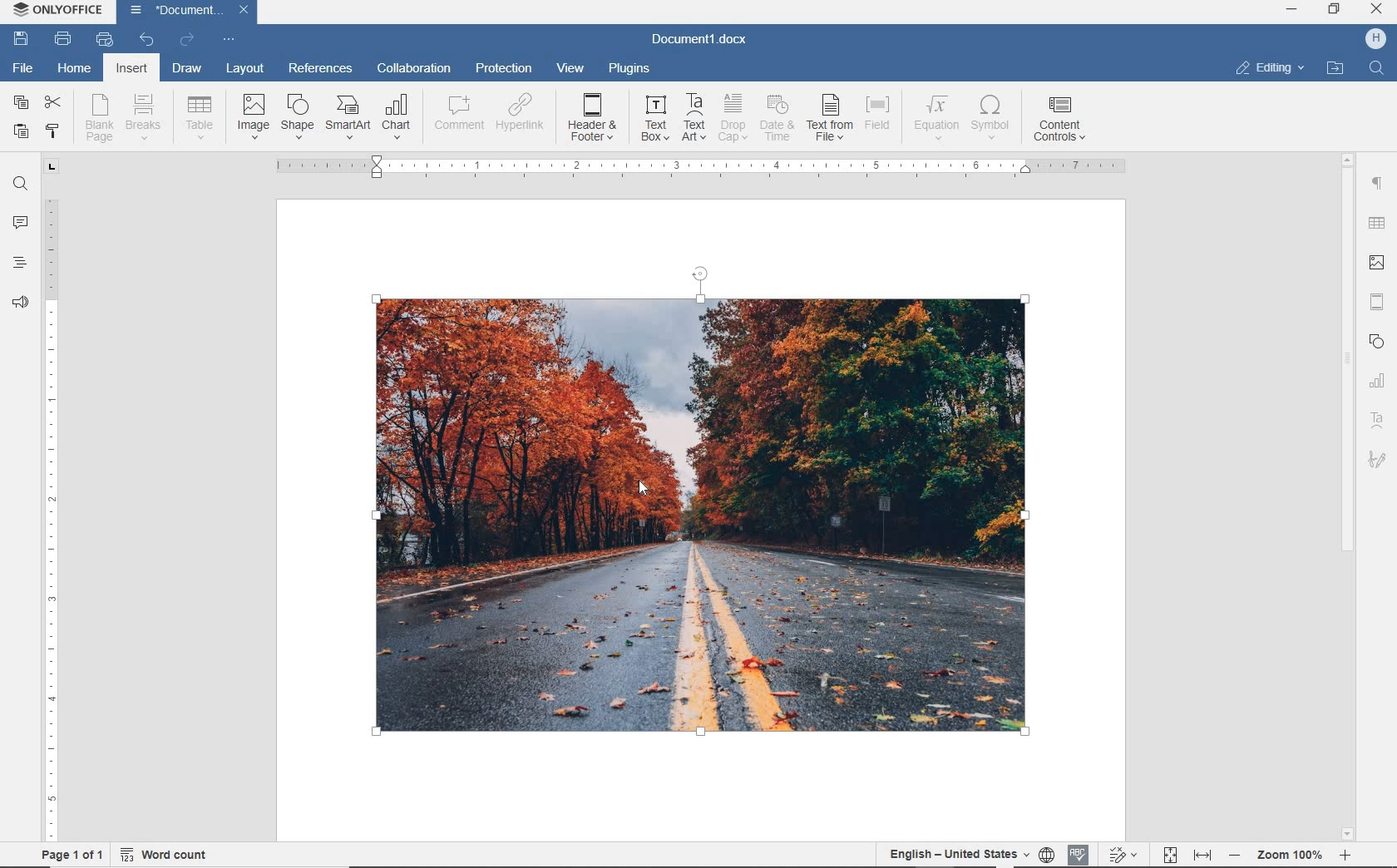  Describe the element at coordinates (20, 224) in the screenshot. I see `comments` at that location.